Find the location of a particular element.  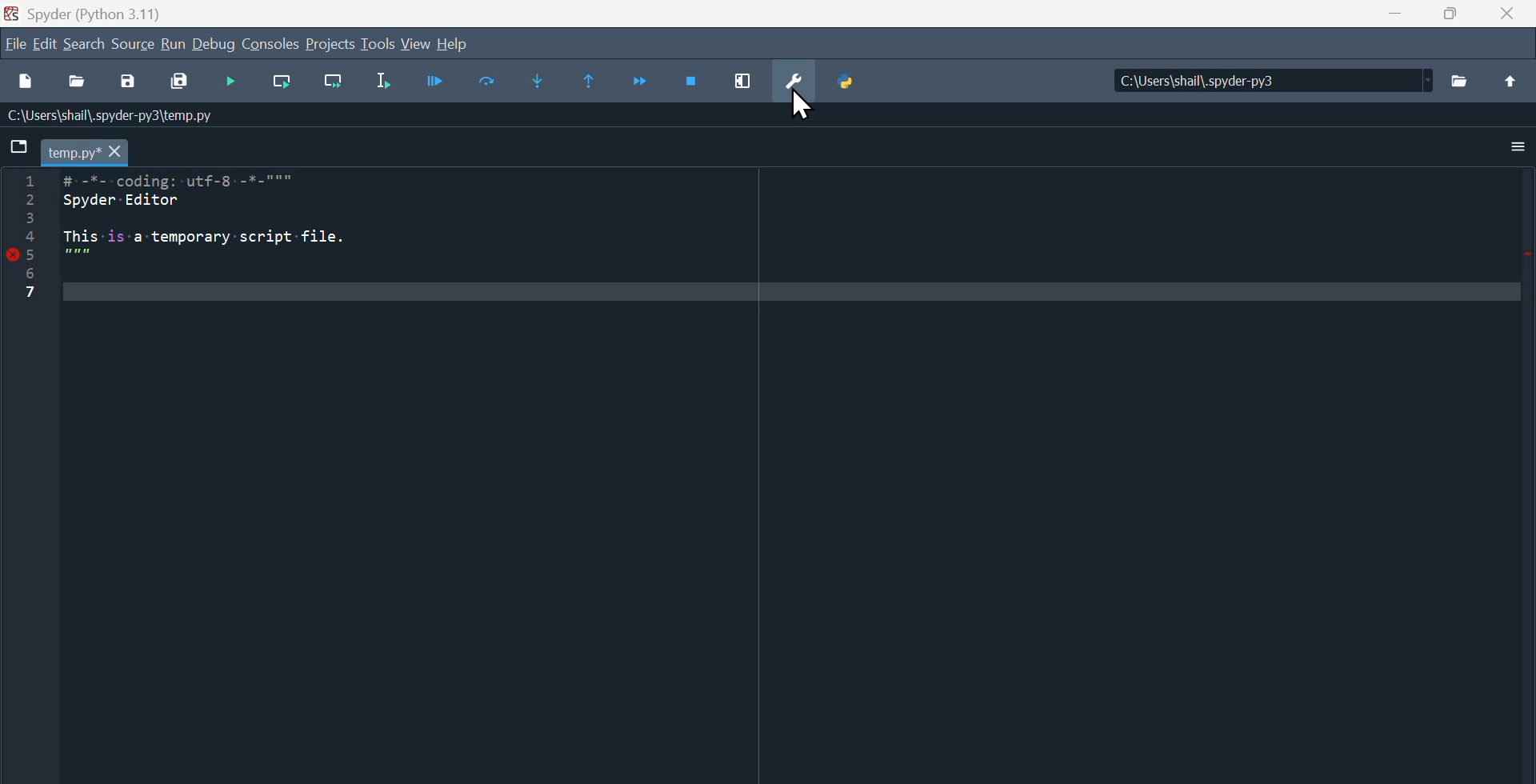

File is located at coordinates (14, 42).